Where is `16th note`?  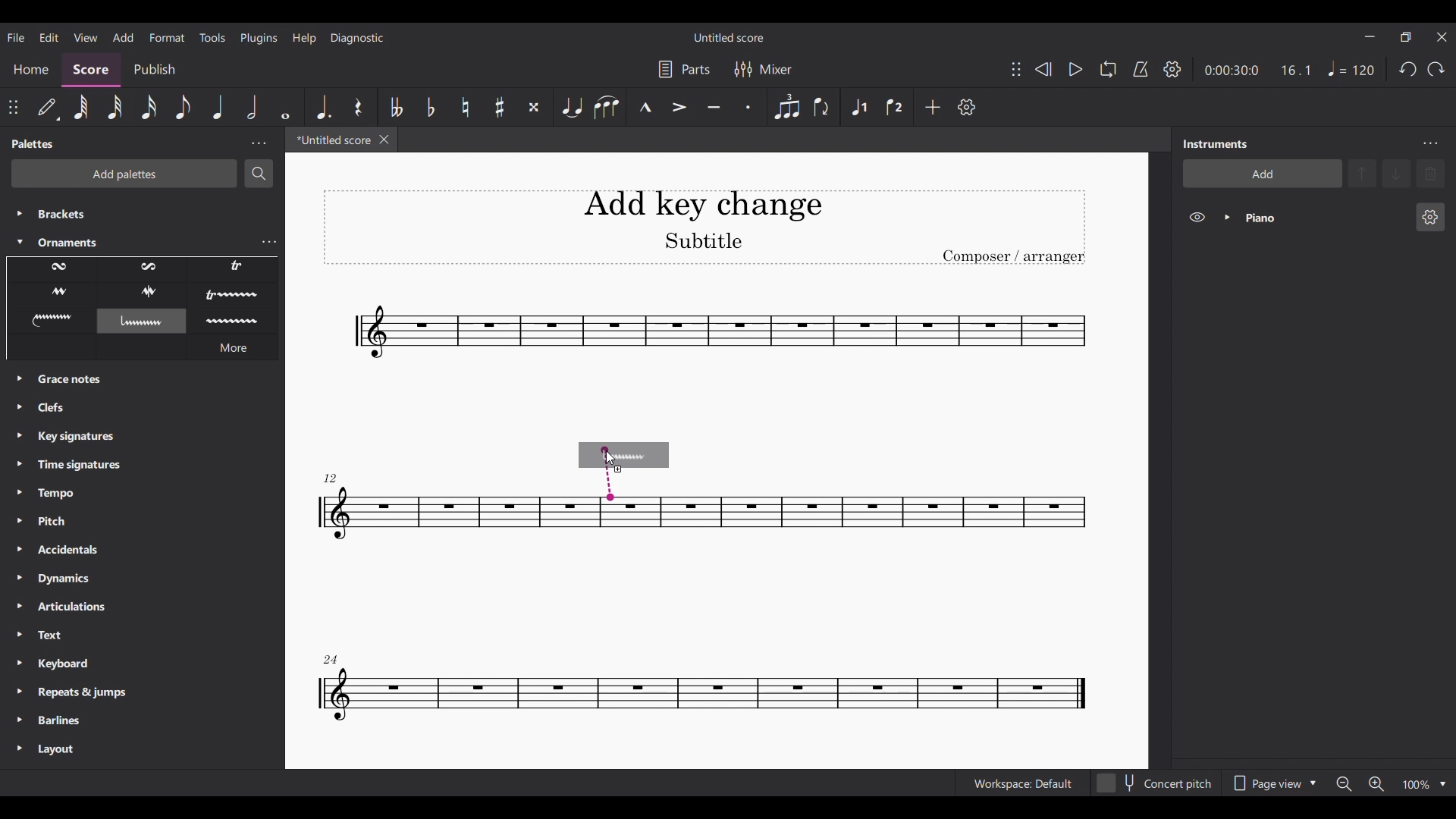 16th note is located at coordinates (149, 106).